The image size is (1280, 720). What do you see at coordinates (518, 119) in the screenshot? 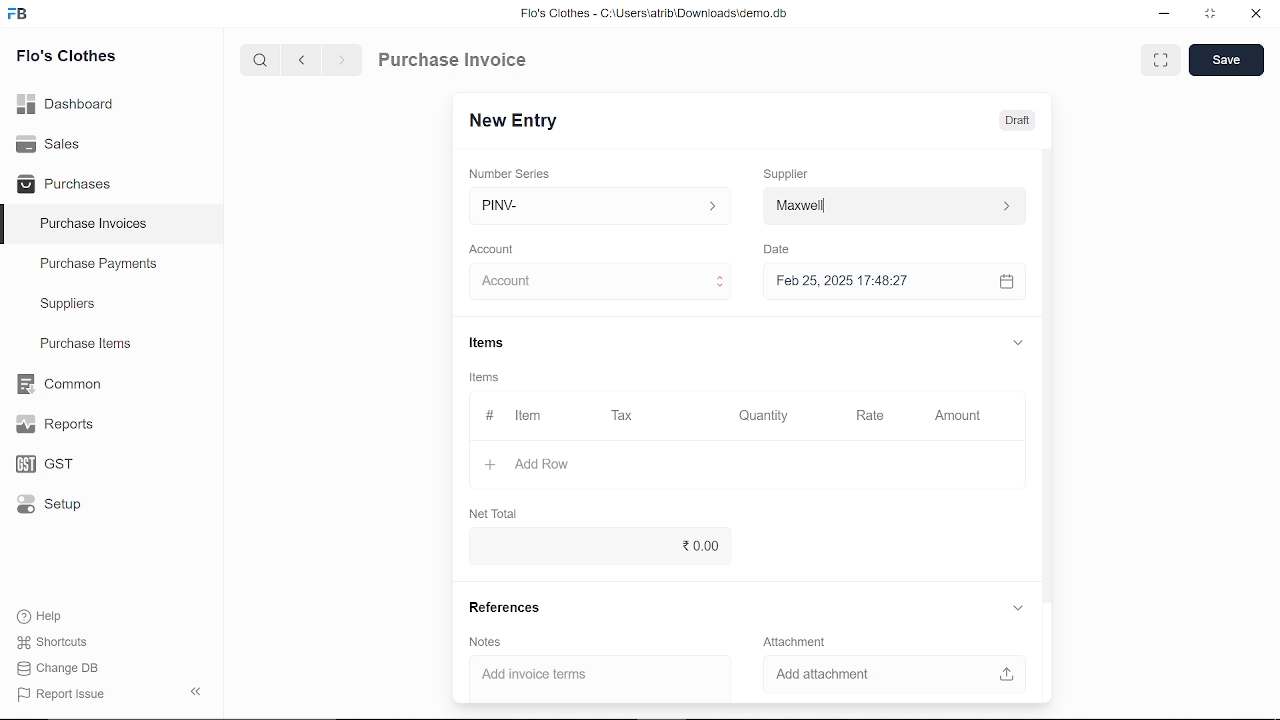
I see `New Entry` at bounding box center [518, 119].